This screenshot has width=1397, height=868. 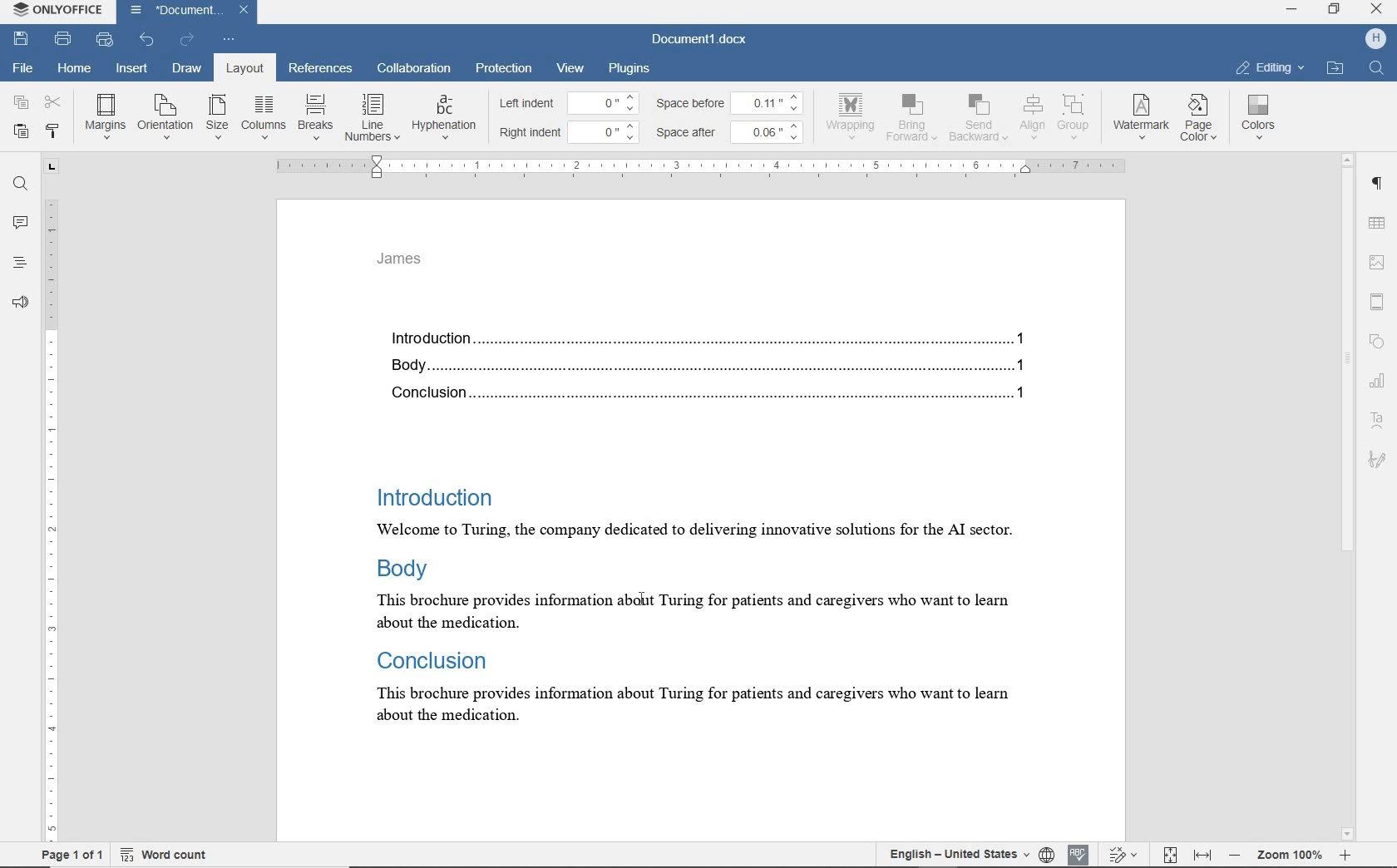 I want to click on document name, so click(x=174, y=11).